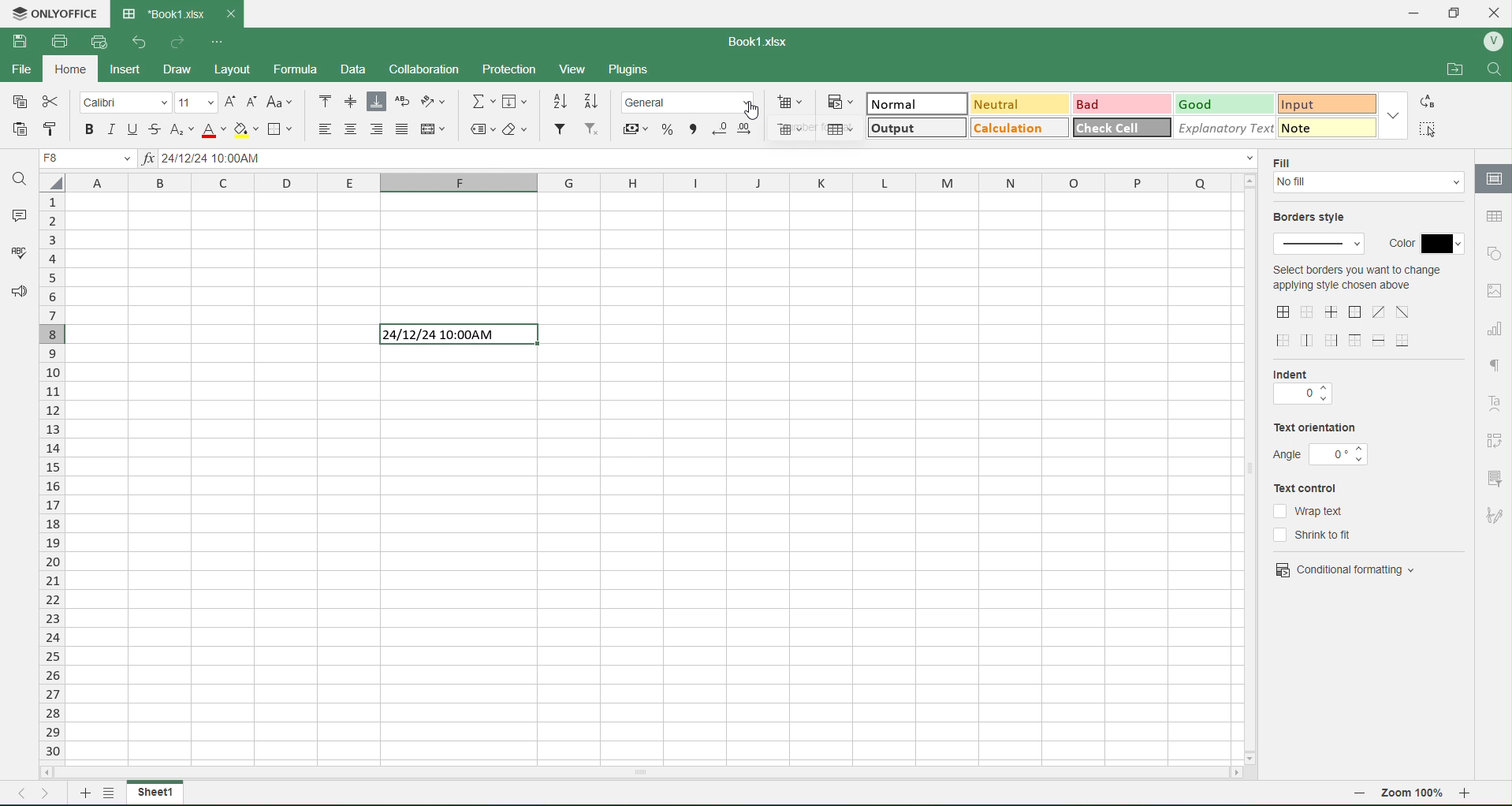 The width and height of the screenshot is (1512, 806). Describe the element at coordinates (1333, 340) in the screenshot. I see `right border` at that location.